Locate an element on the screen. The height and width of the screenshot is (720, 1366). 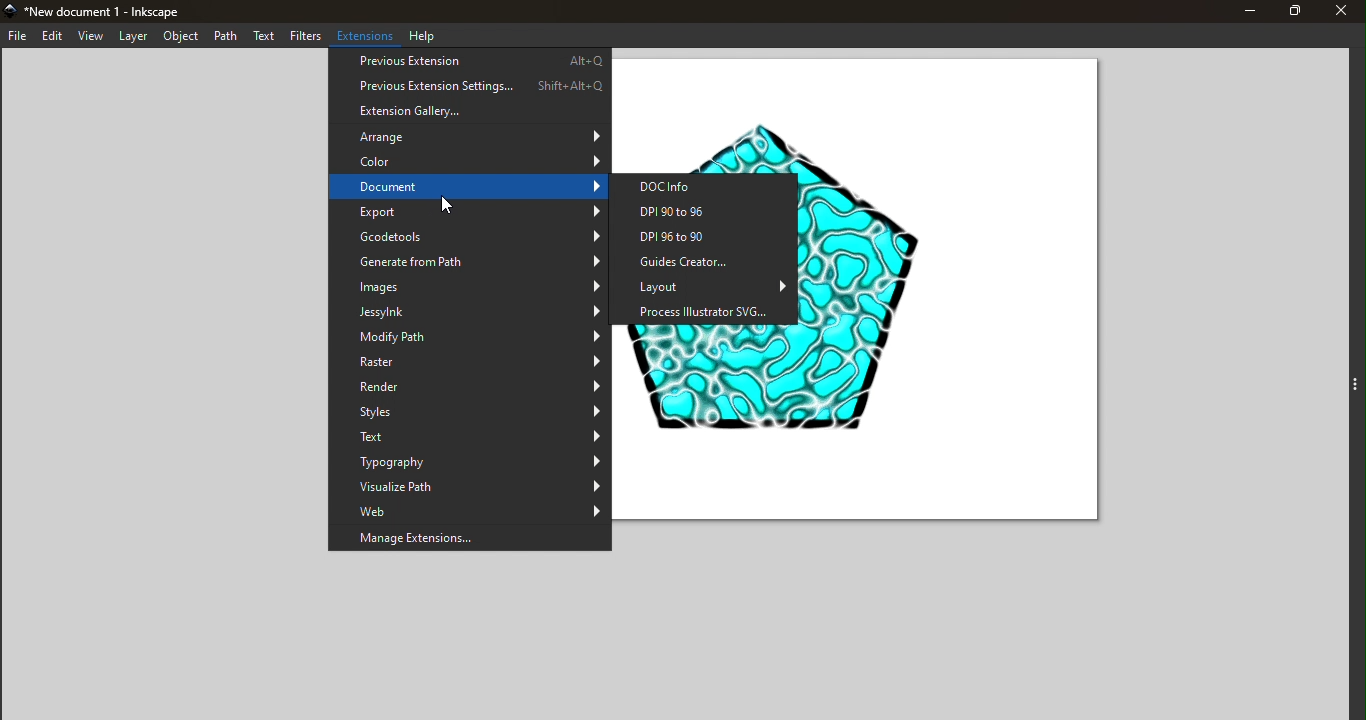
DPI 96 to 90 is located at coordinates (709, 238).